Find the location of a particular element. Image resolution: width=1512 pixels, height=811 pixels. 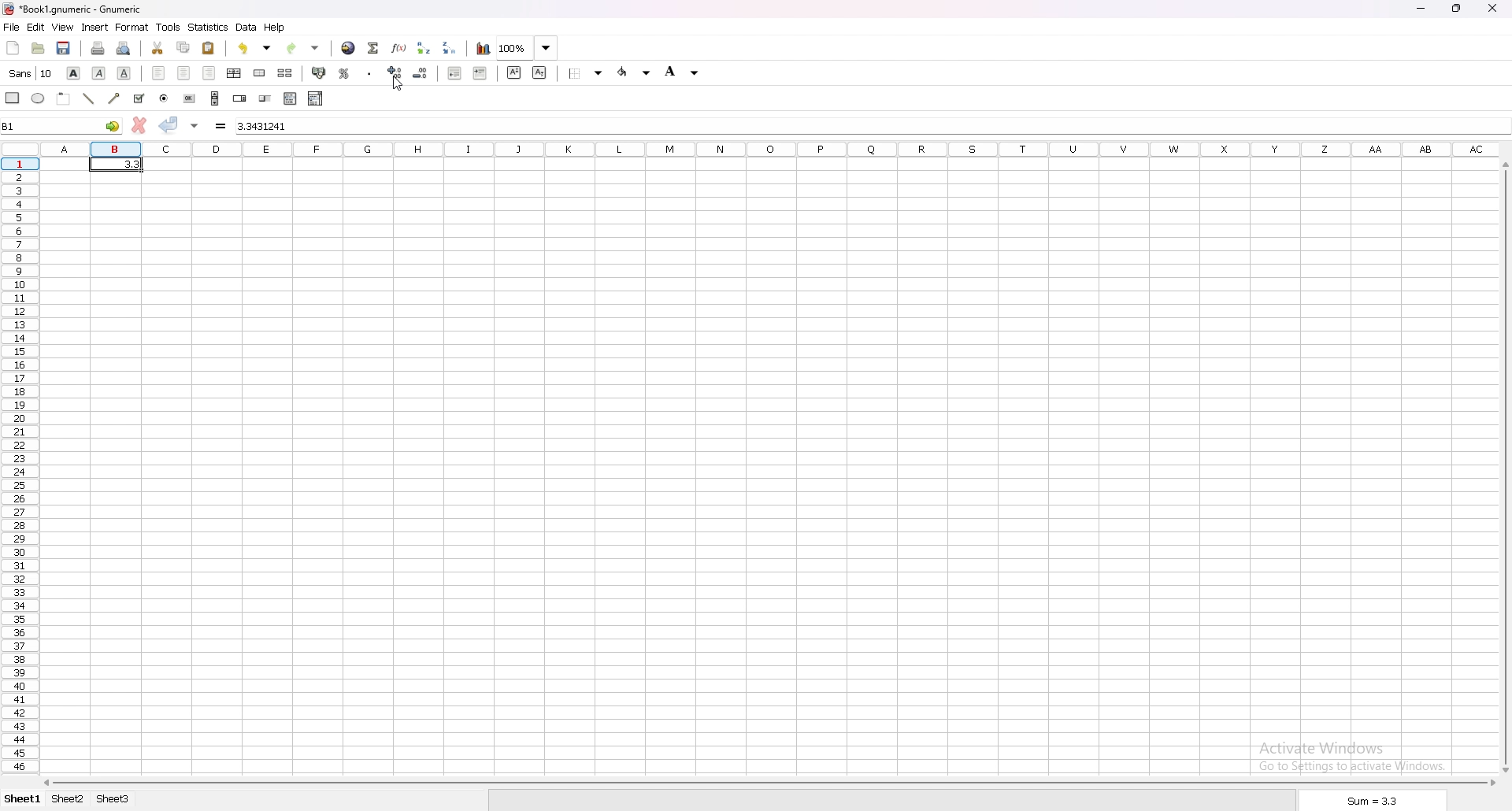

italic is located at coordinates (101, 72).